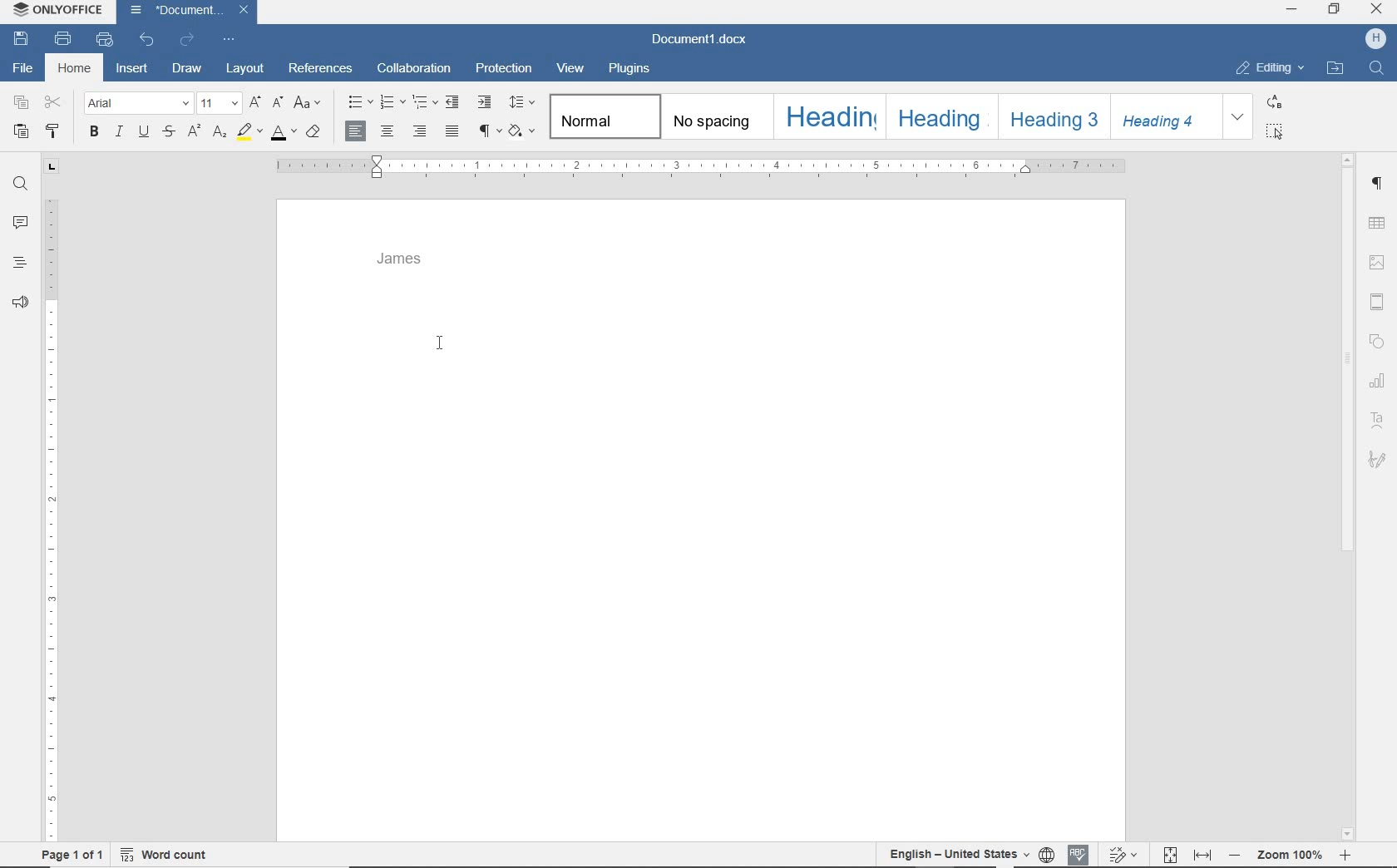 The height and width of the screenshot is (868, 1397). Describe the element at coordinates (66, 40) in the screenshot. I see `print` at that location.